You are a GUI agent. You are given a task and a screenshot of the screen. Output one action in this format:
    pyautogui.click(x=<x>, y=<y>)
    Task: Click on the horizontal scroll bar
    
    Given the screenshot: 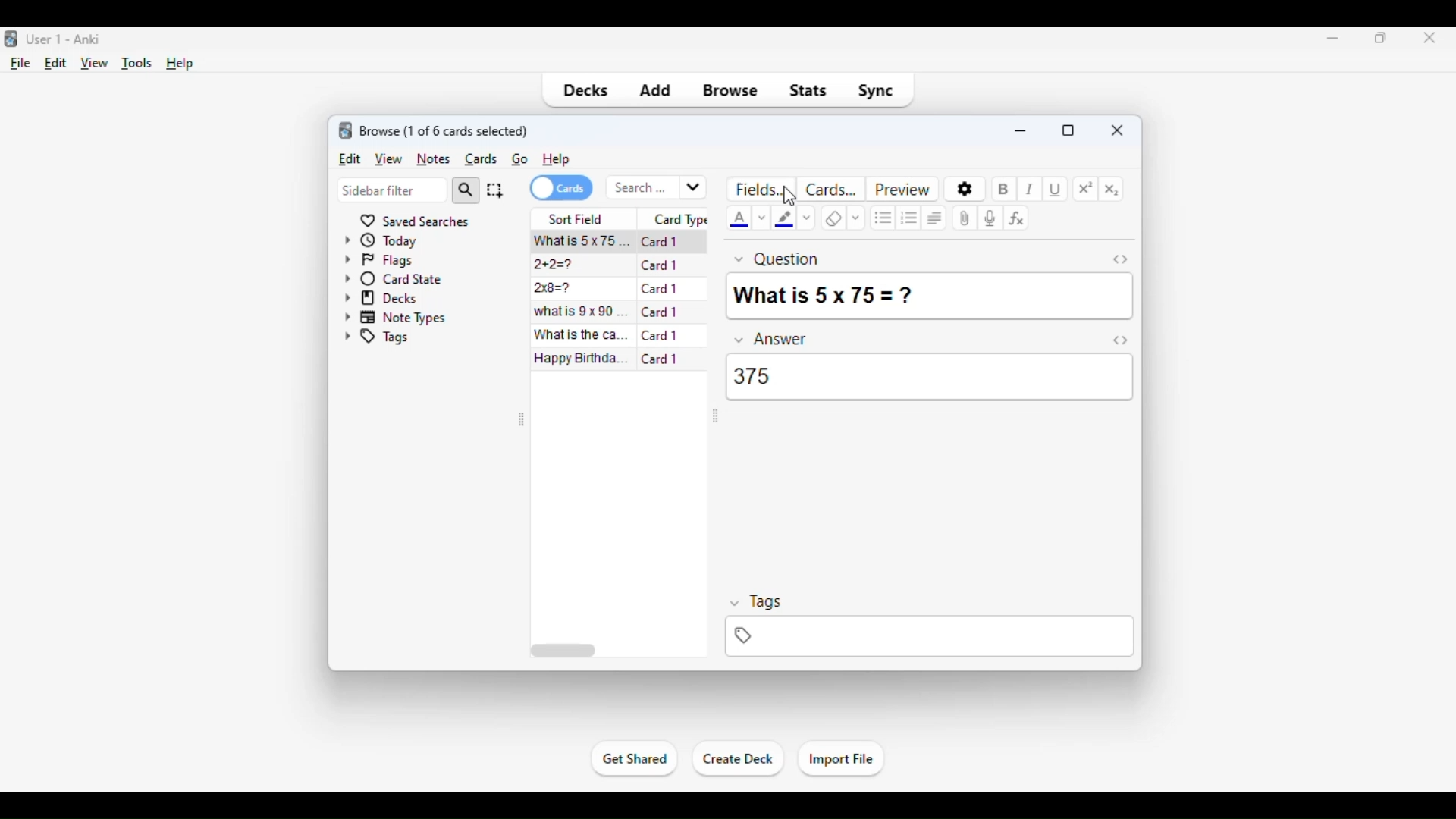 What is the action you would take?
    pyautogui.click(x=565, y=651)
    